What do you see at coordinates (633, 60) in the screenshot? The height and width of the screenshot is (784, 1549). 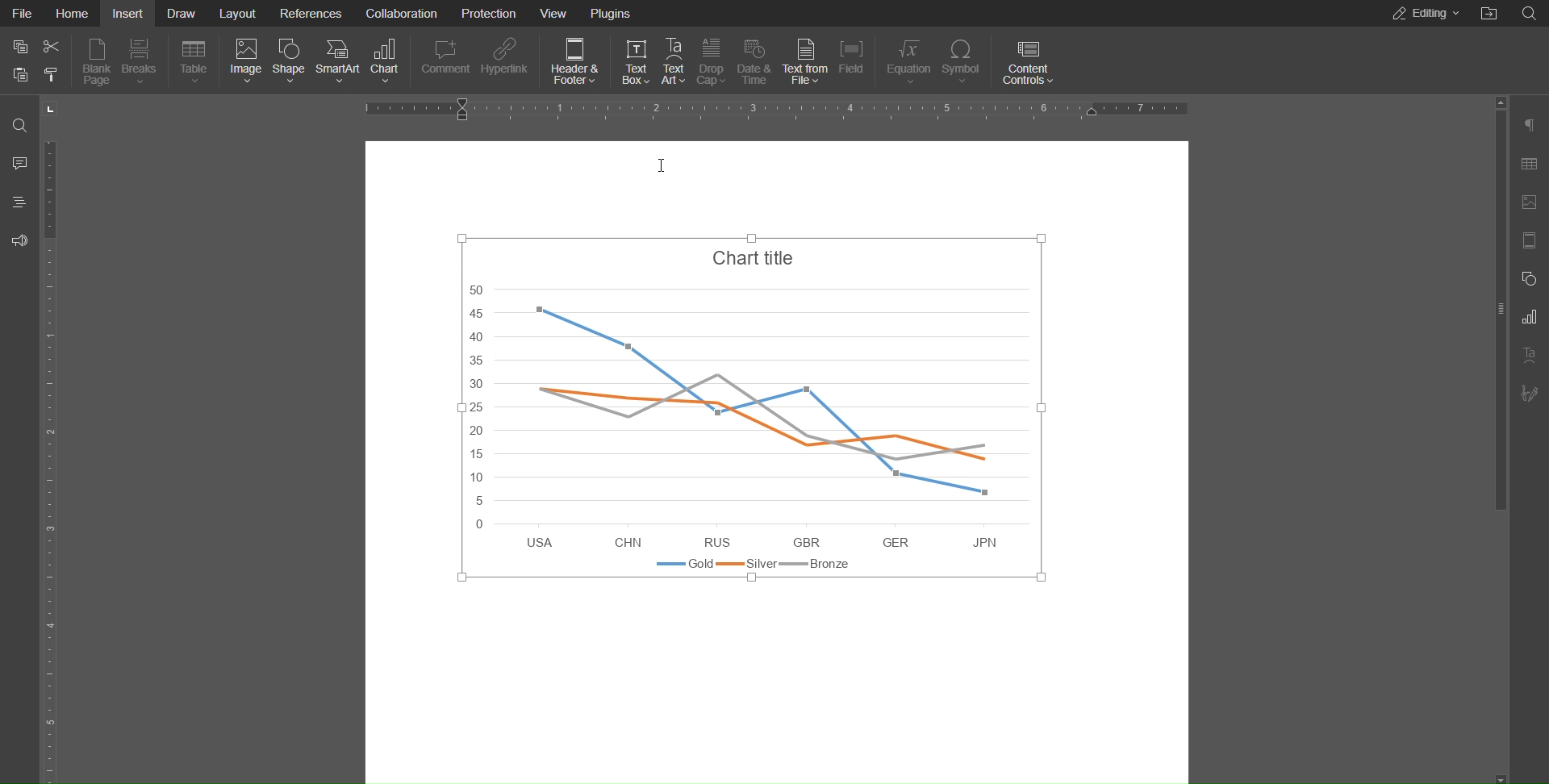 I see `Text Box` at bounding box center [633, 60].